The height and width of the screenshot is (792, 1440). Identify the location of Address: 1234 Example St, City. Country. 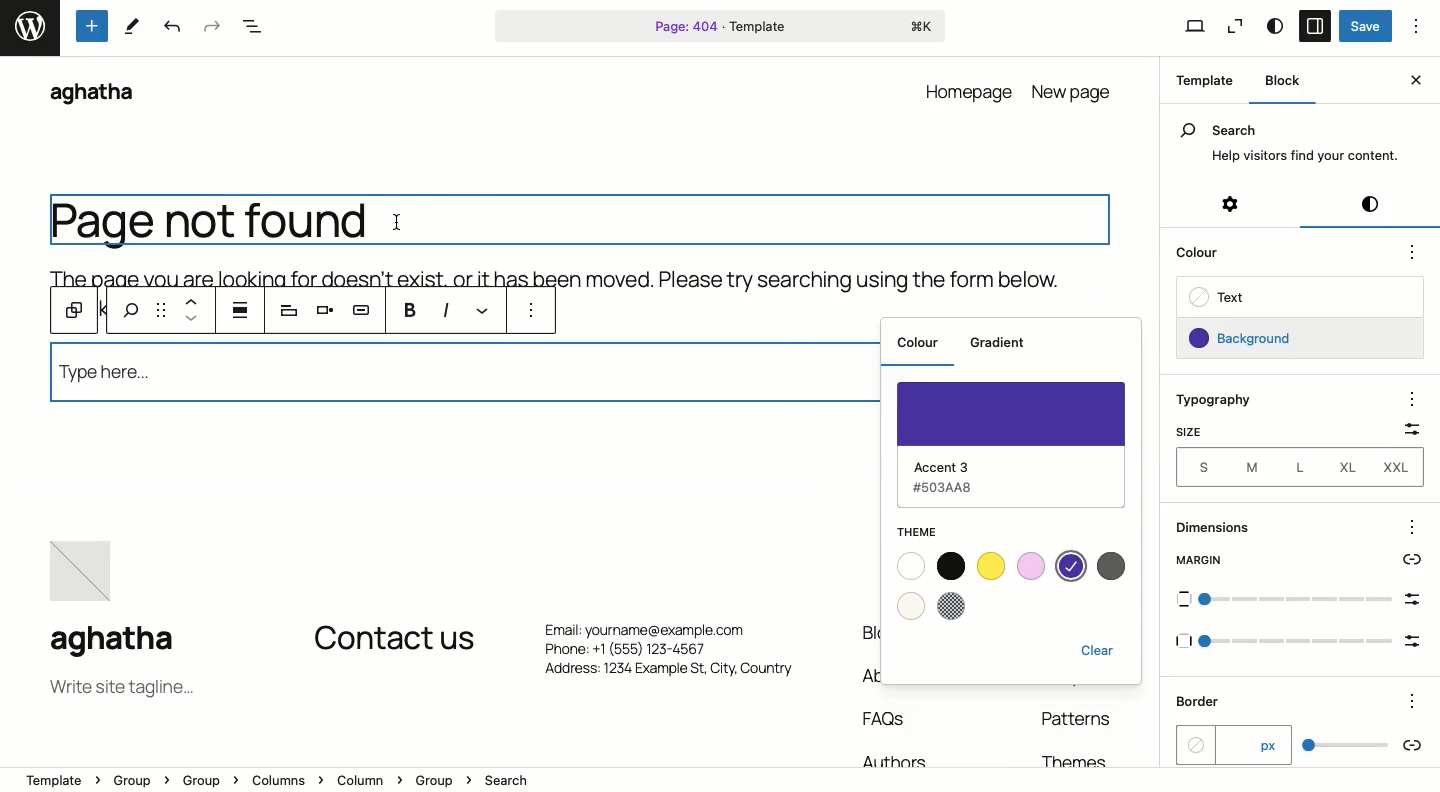
(667, 674).